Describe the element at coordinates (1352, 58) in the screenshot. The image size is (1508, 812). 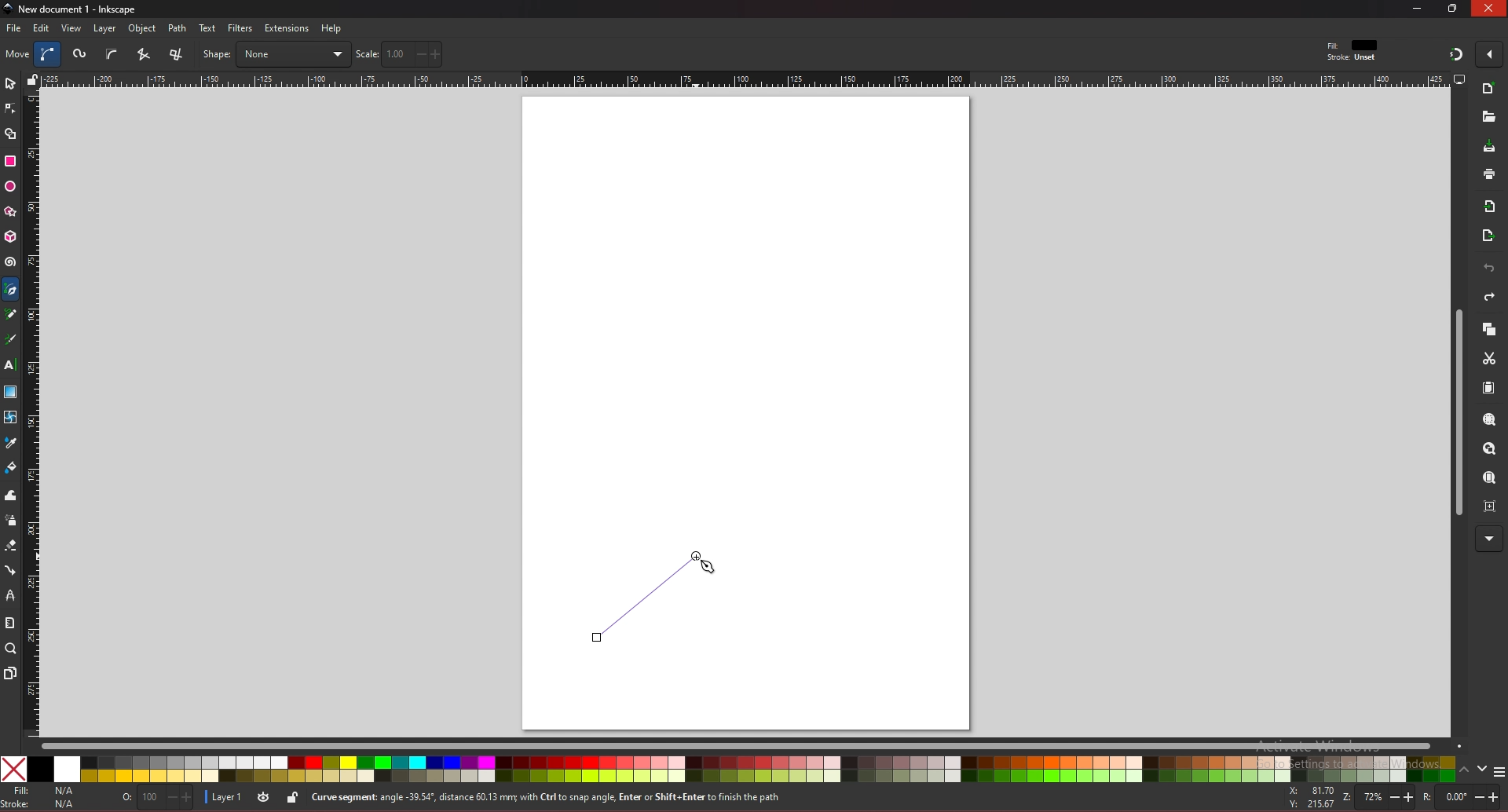
I see `stroke` at that location.